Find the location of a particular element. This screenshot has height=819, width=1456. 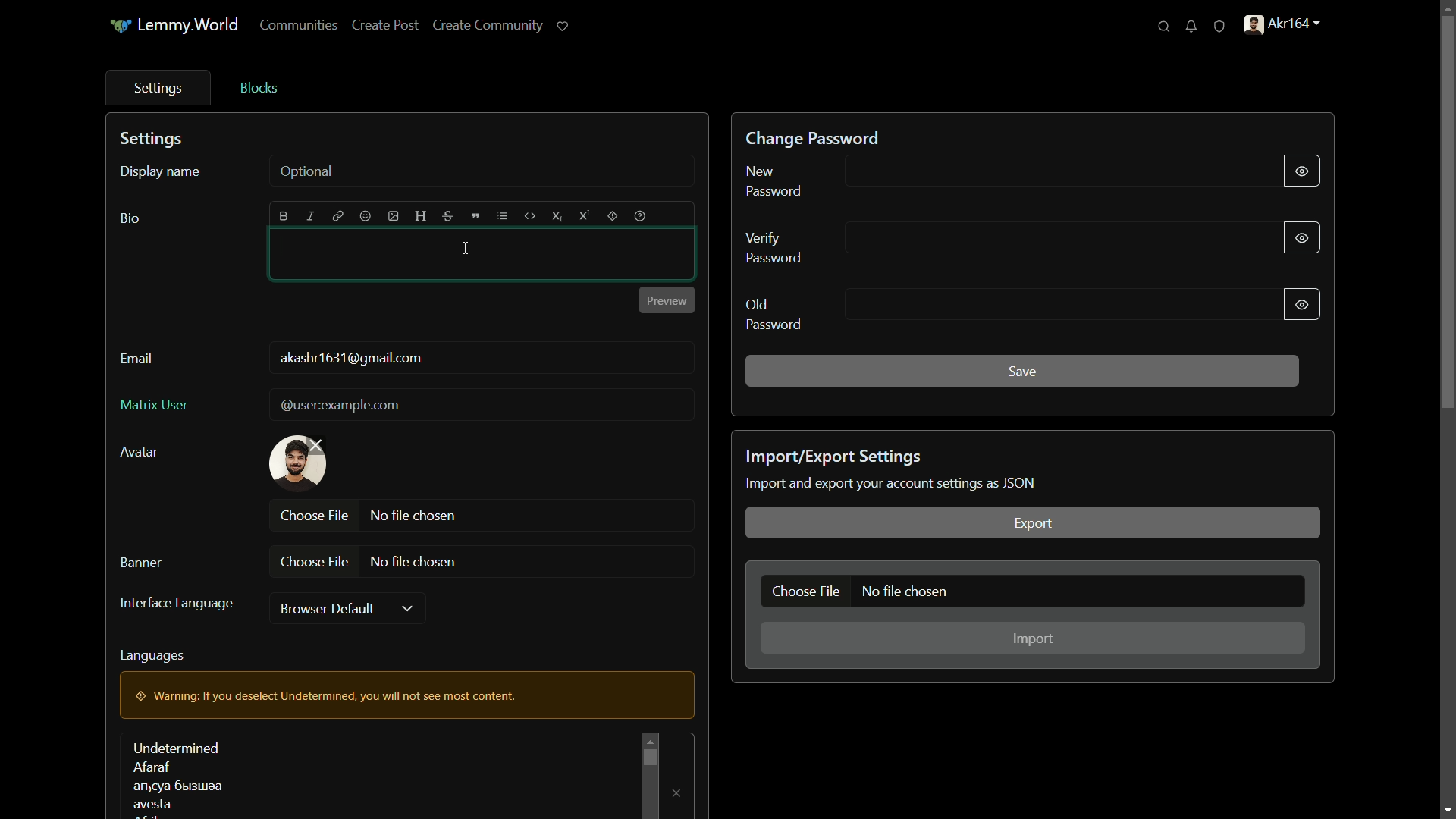

matrix user is located at coordinates (155, 406).